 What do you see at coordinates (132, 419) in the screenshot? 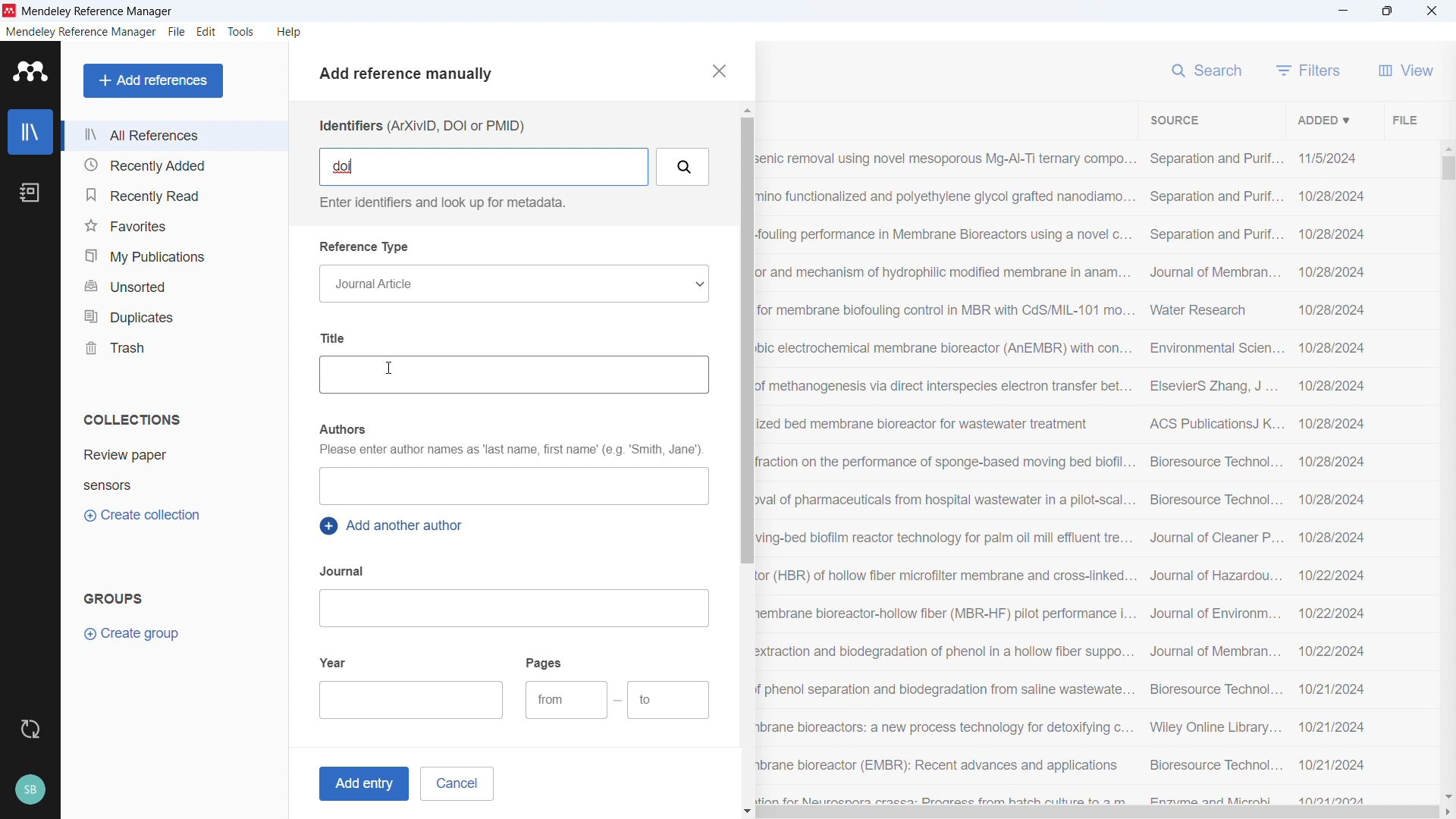
I see `Collections ` at bounding box center [132, 419].